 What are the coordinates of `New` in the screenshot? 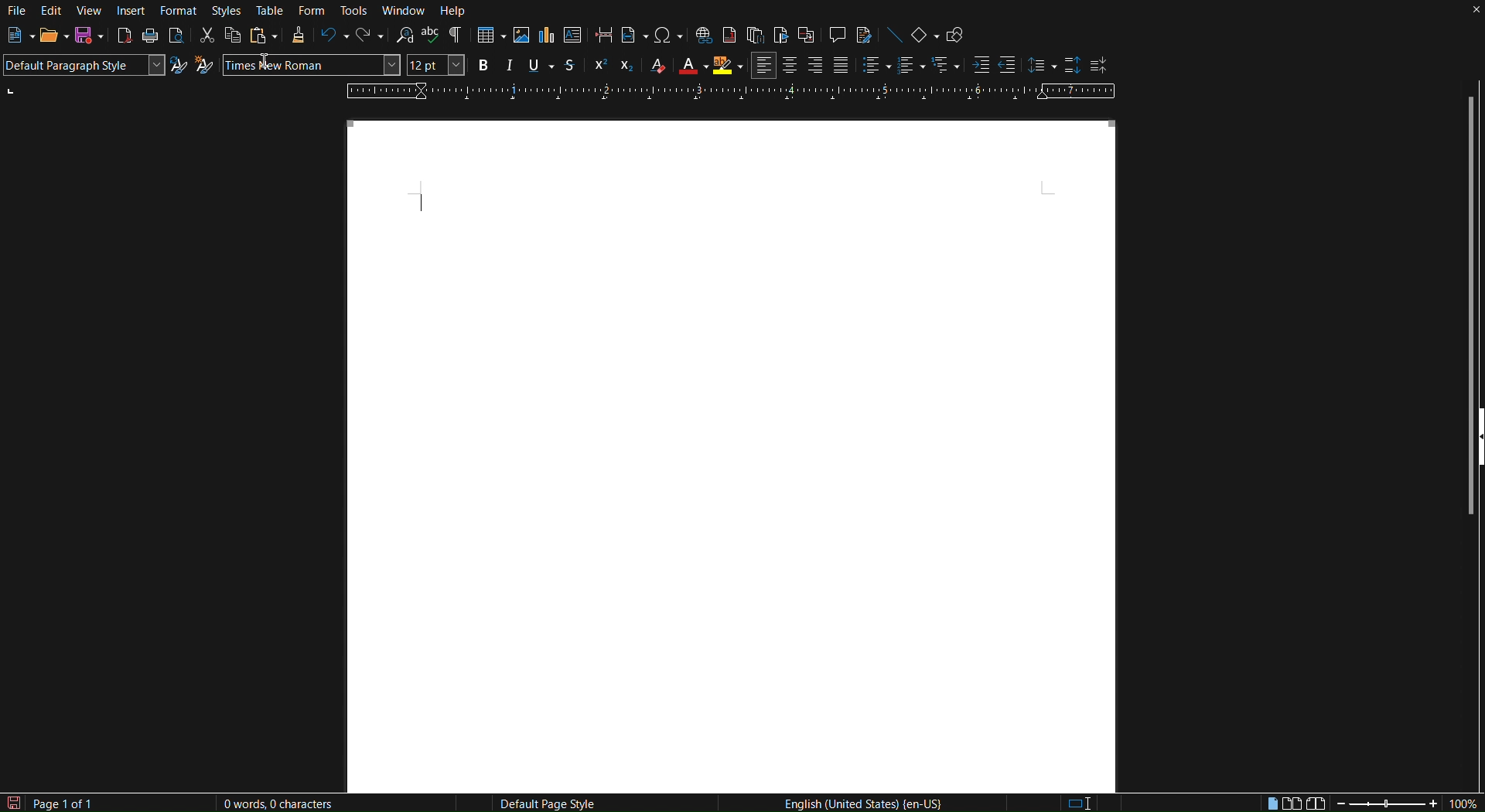 It's located at (14, 37).